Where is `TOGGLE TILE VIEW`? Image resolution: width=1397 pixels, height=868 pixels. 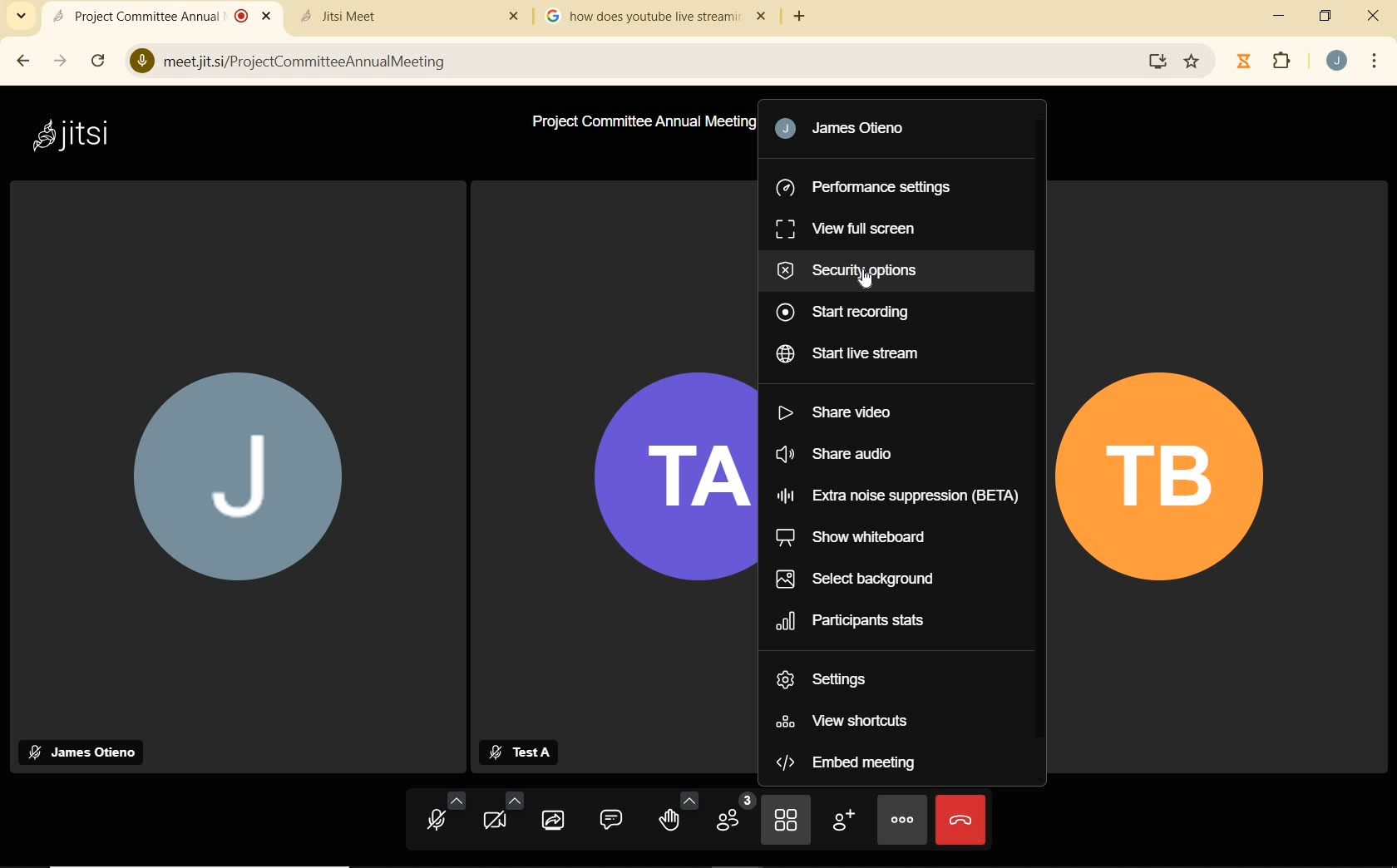
TOGGLE TILE VIEW is located at coordinates (786, 823).